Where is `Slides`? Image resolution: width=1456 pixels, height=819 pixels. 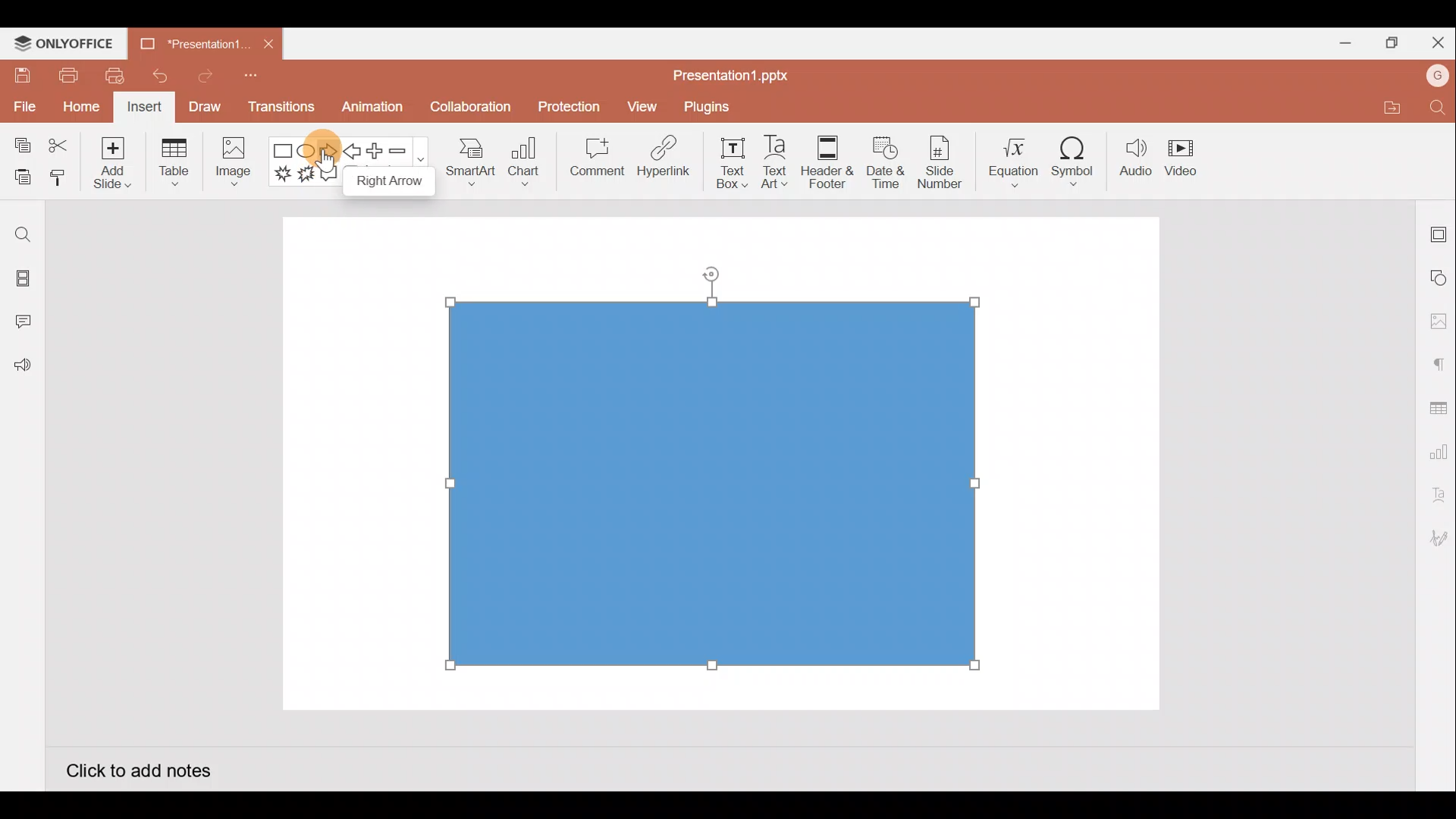 Slides is located at coordinates (21, 281).